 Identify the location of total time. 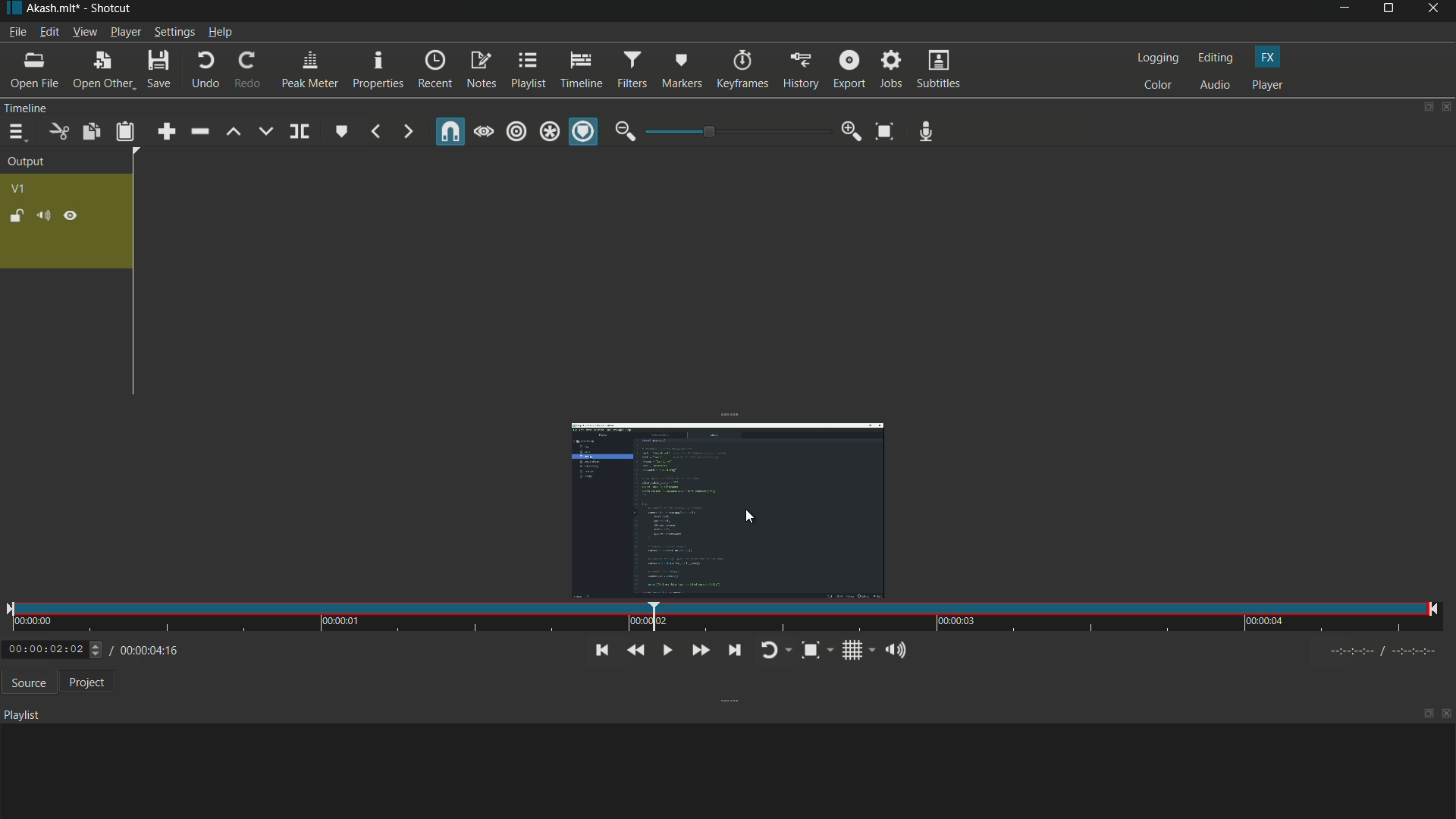
(168, 692).